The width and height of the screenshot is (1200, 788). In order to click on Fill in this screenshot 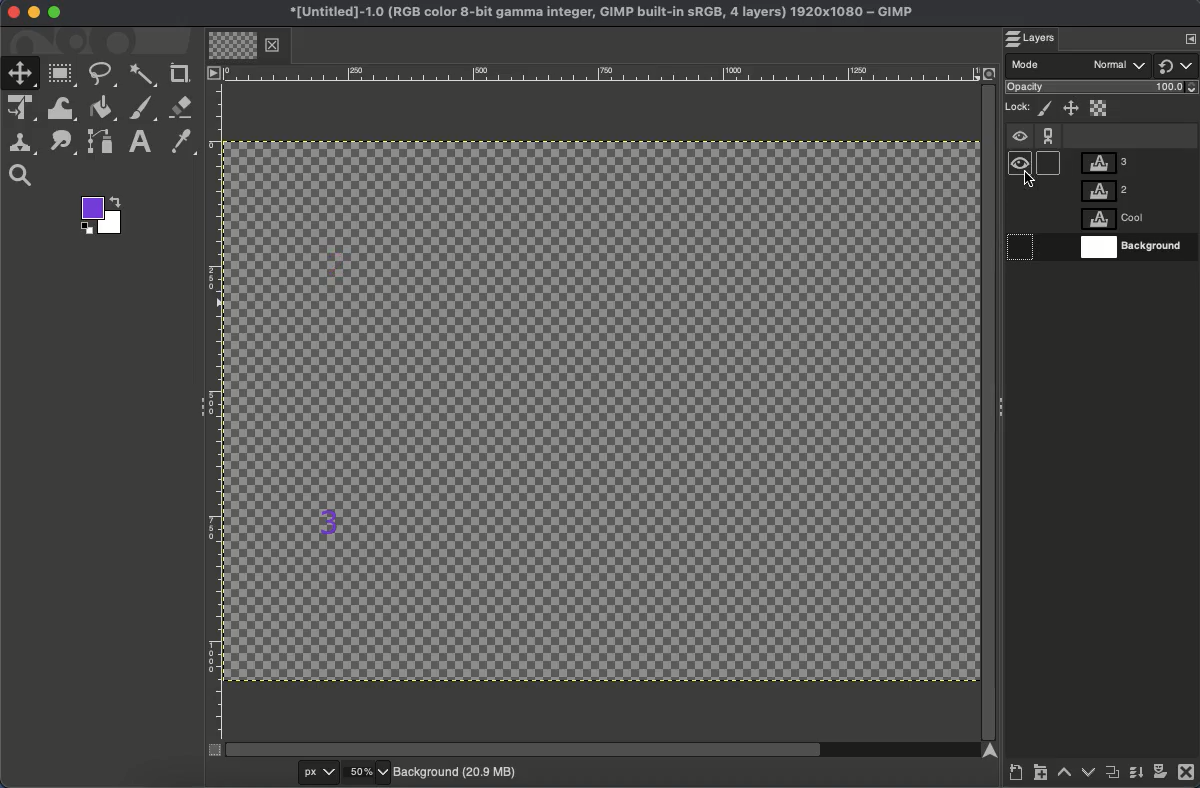, I will do `click(103, 108)`.